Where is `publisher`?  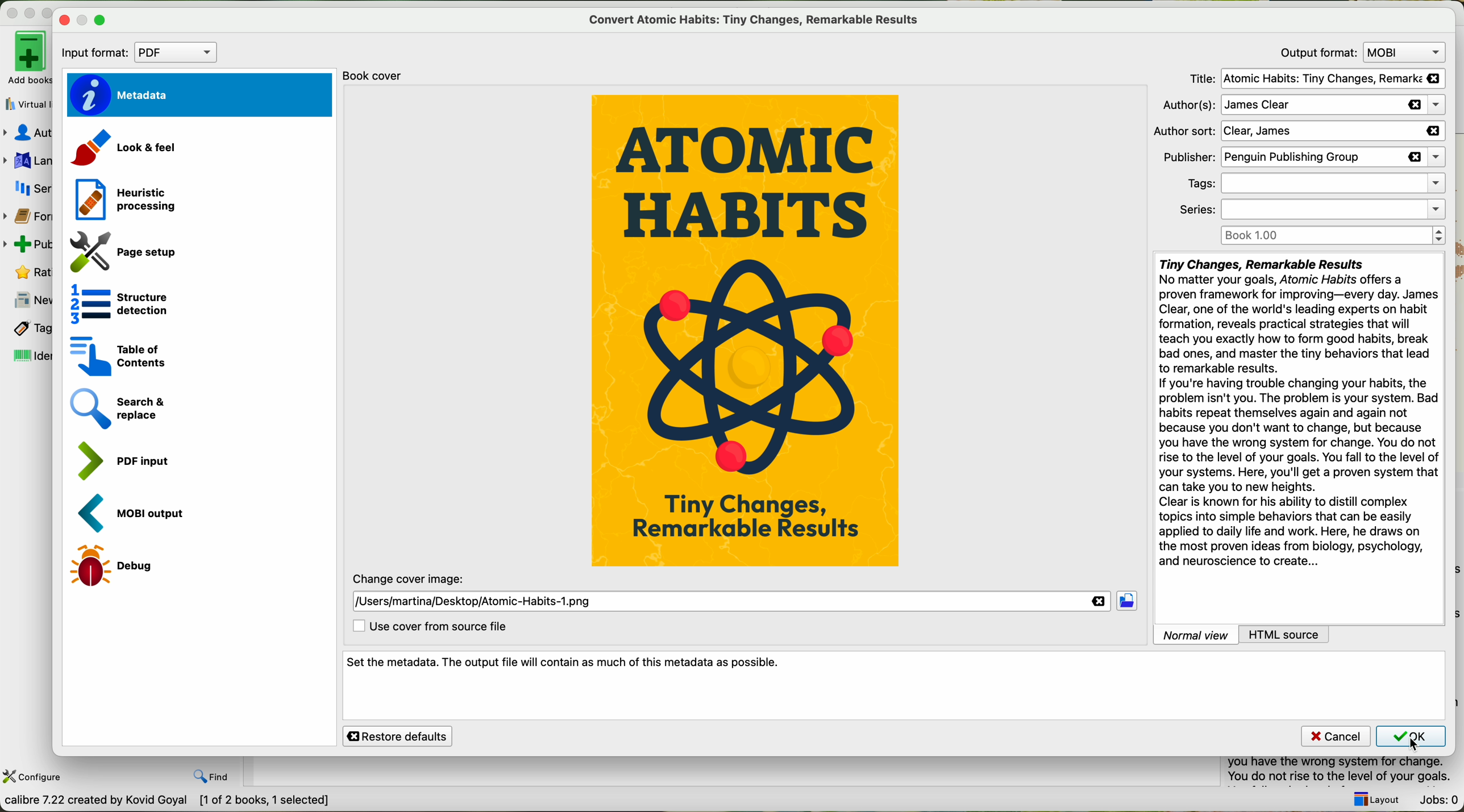
publisher is located at coordinates (1302, 156).